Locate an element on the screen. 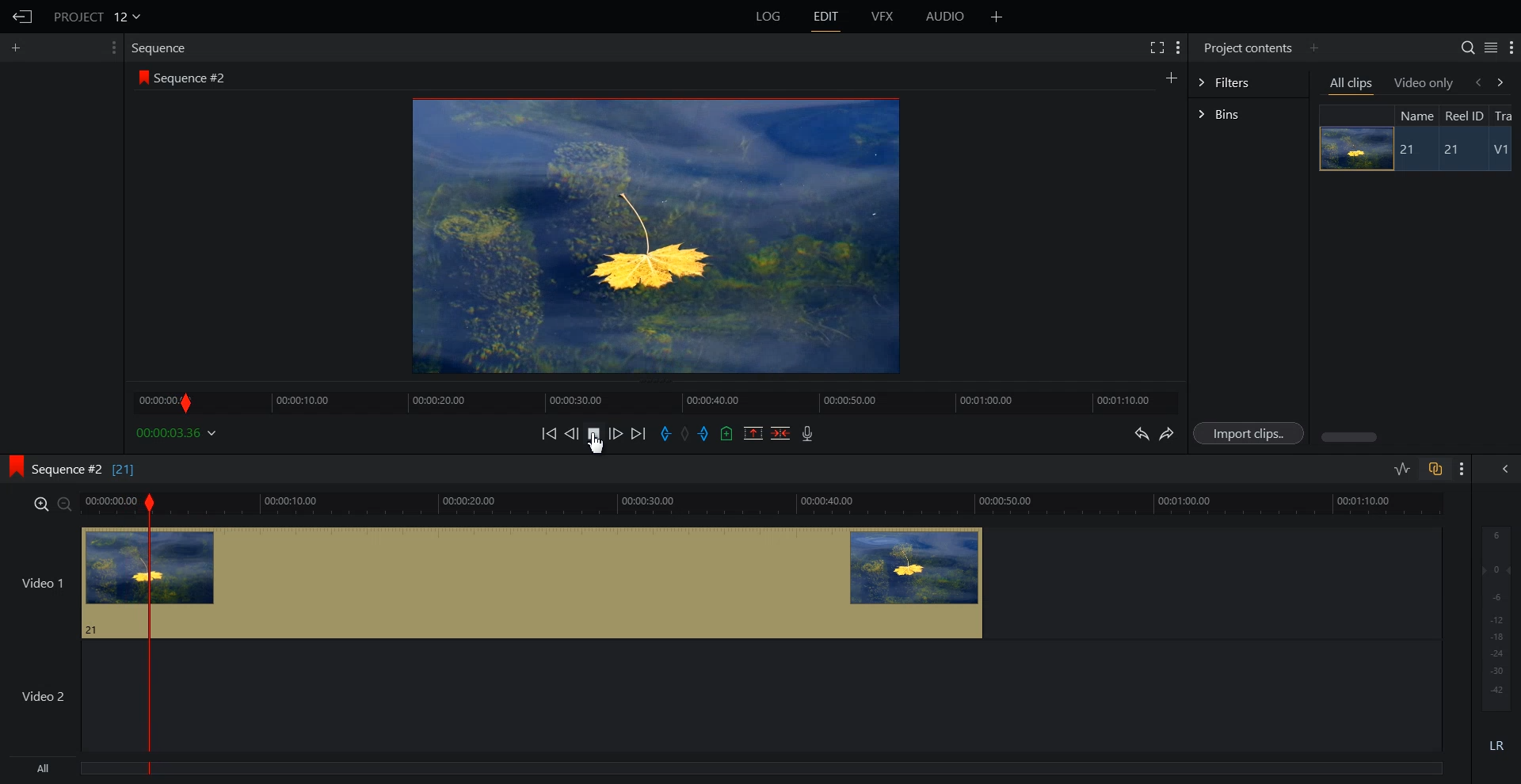 This screenshot has height=784, width=1521. PROJECT 12 is located at coordinates (97, 16).